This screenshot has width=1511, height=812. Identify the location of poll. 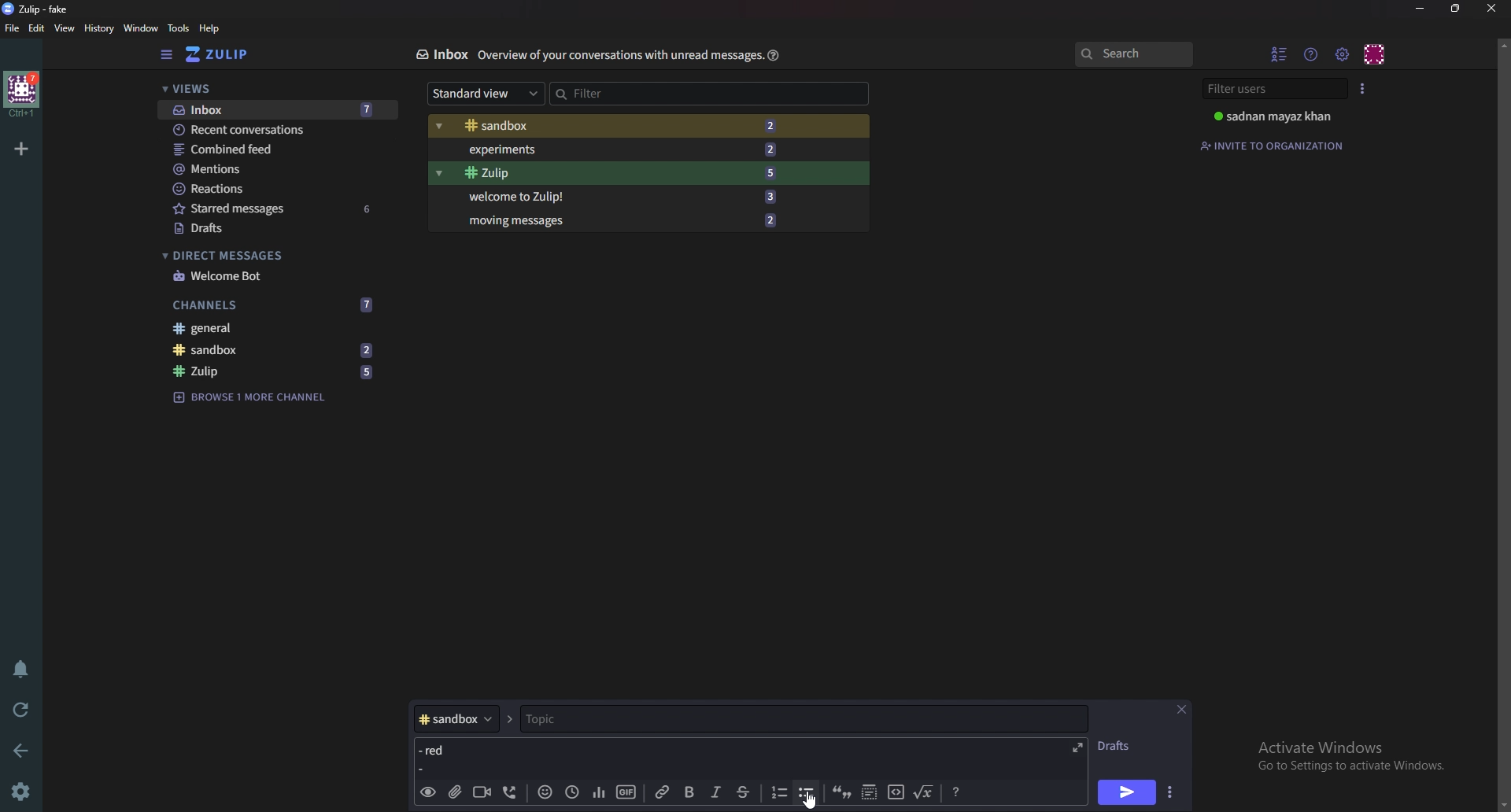
(599, 791).